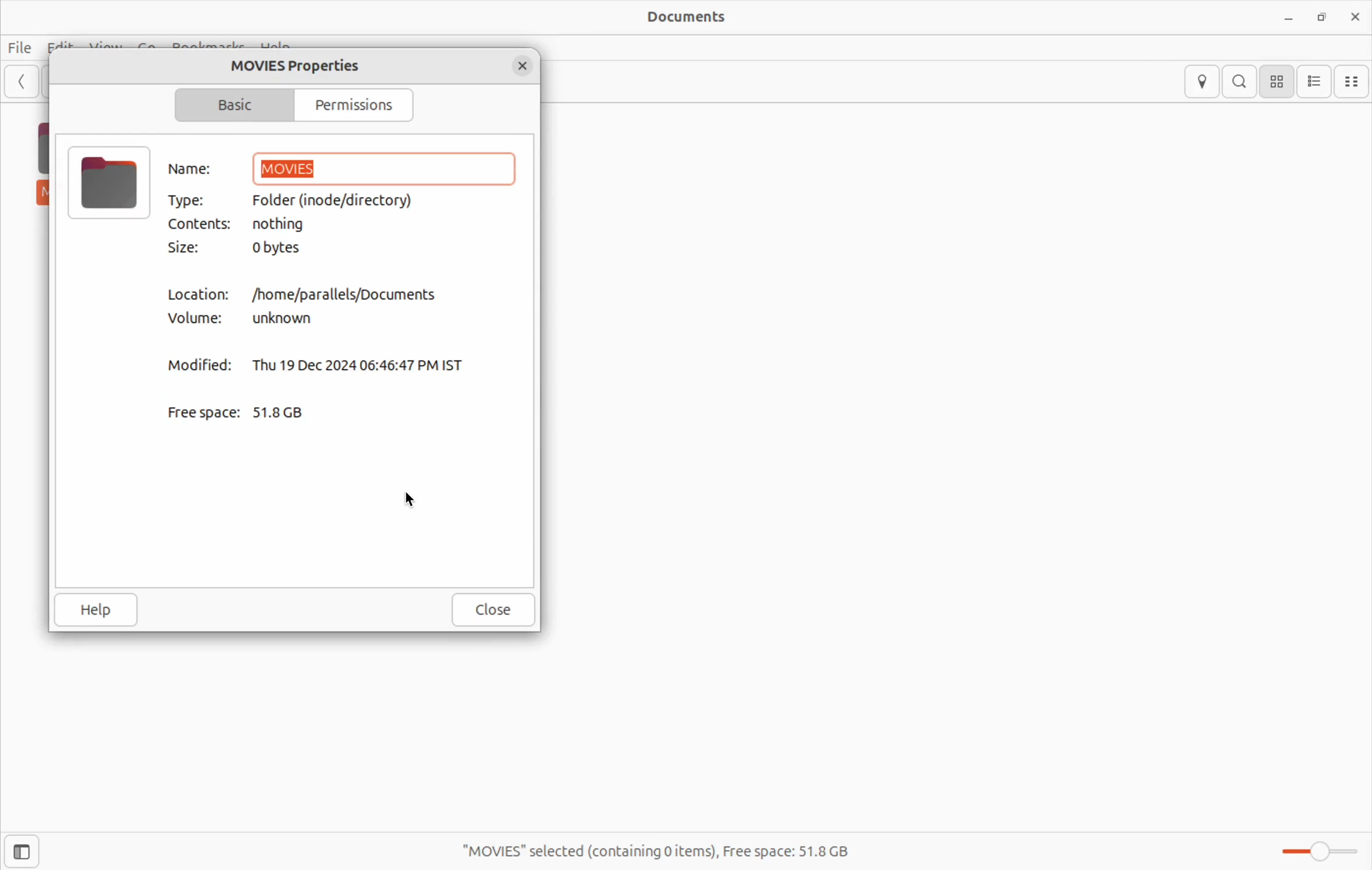 The height and width of the screenshot is (870, 1372). What do you see at coordinates (416, 501) in the screenshot?
I see `cursor` at bounding box center [416, 501].